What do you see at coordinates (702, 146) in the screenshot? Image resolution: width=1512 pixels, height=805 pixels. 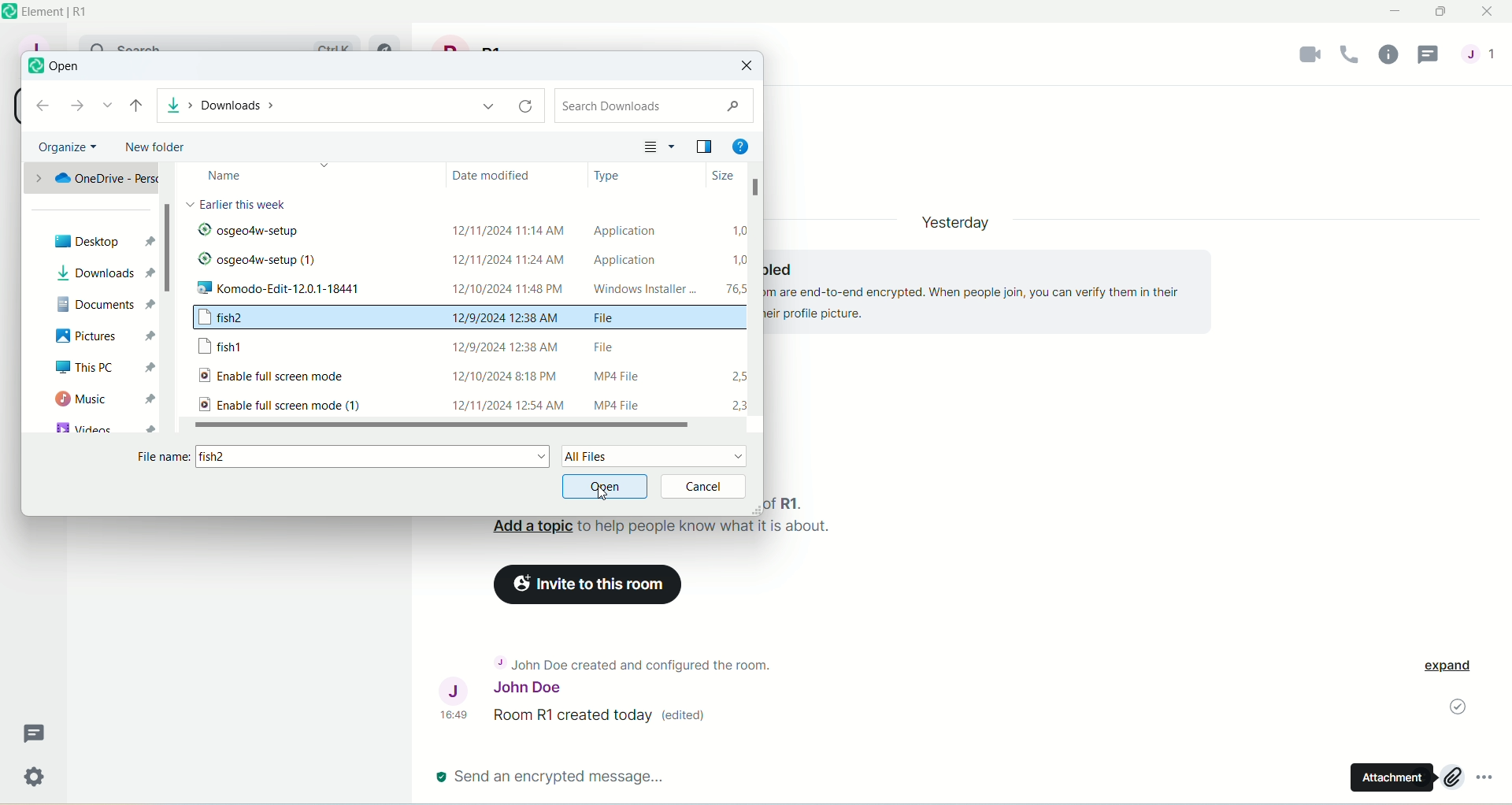 I see `view` at bounding box center [702, 146].